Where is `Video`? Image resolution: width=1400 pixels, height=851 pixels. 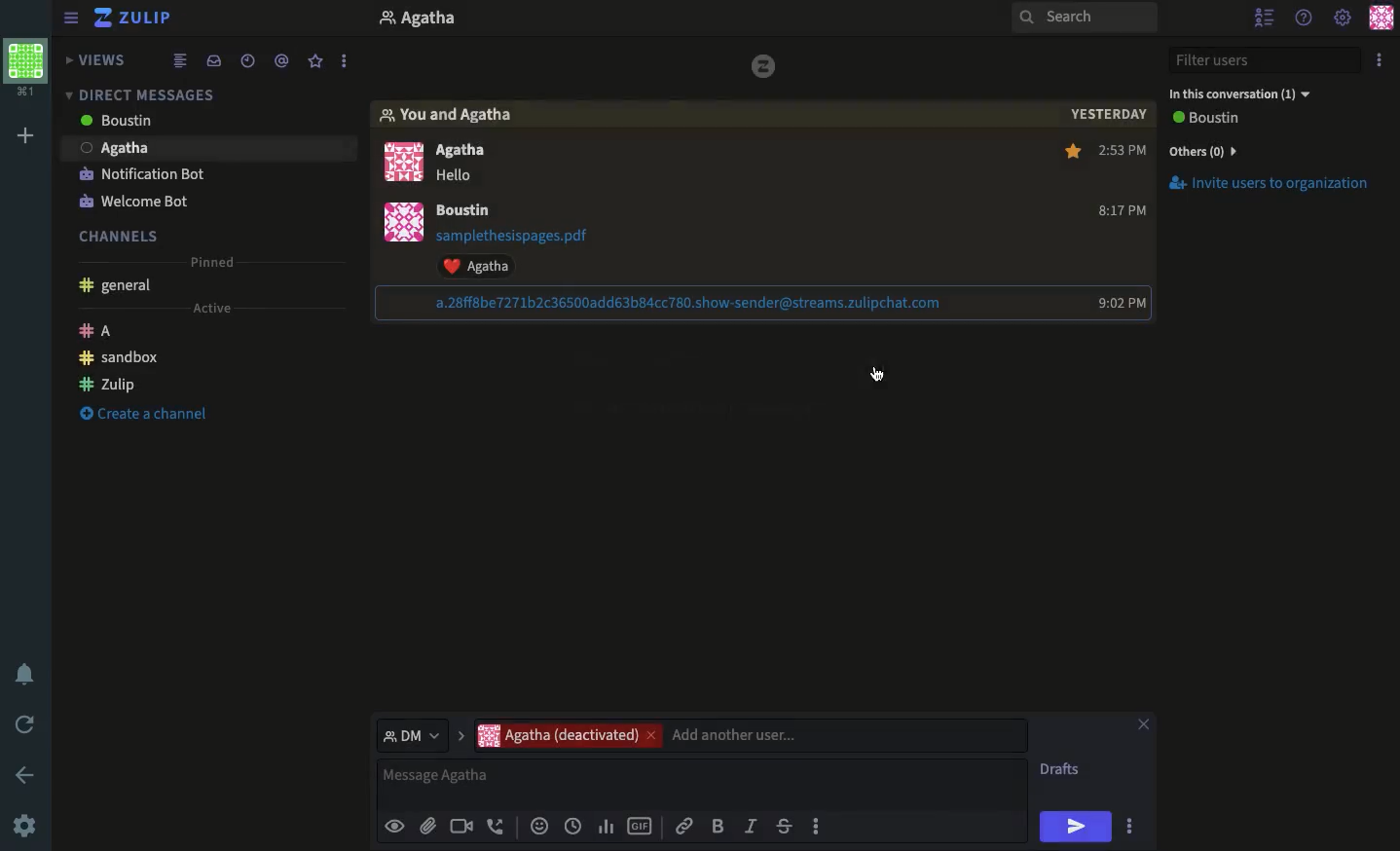
Video is located at coordinates (460, 828).